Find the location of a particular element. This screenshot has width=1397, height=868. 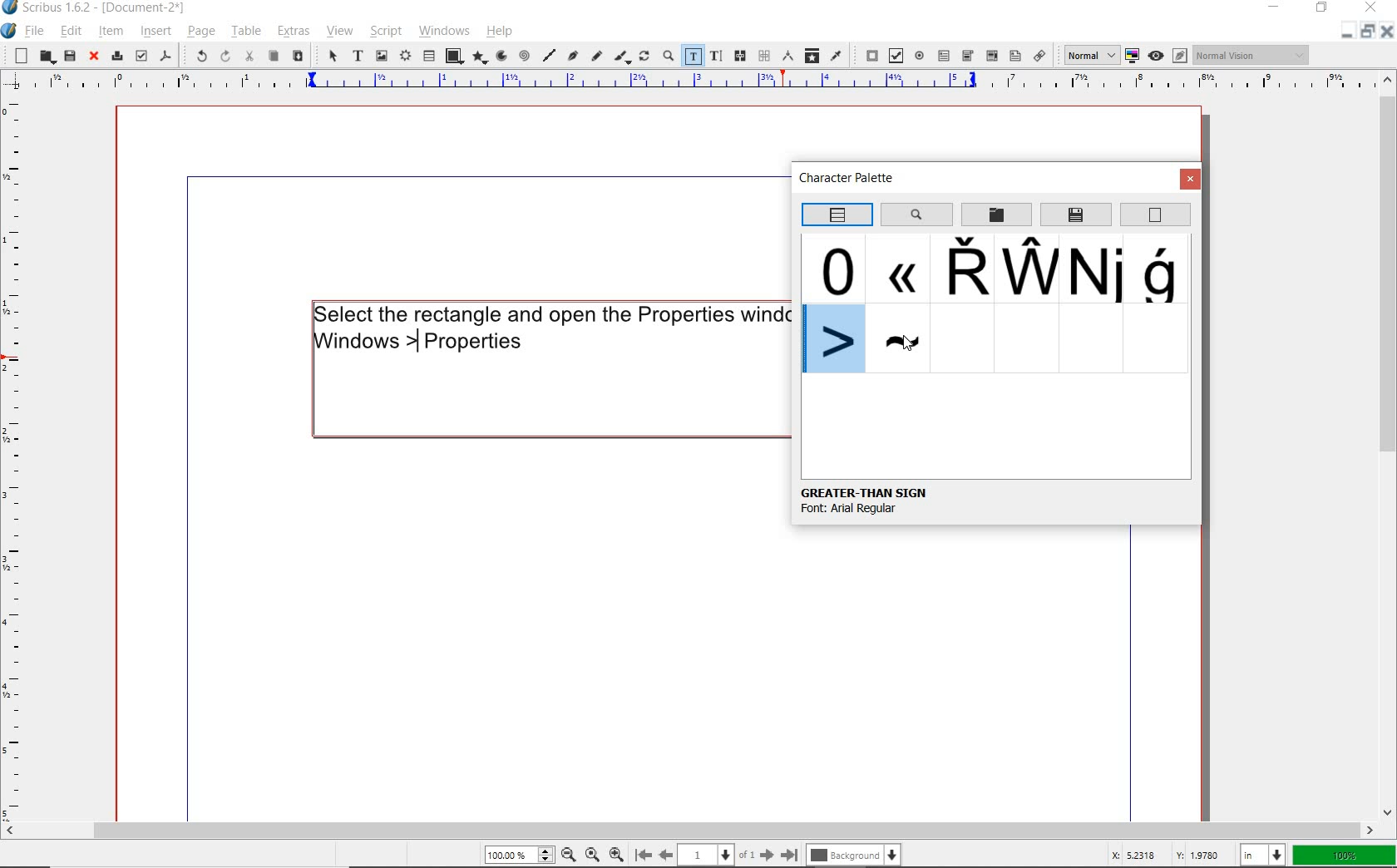

render frame is located at coordinates (404, 57).